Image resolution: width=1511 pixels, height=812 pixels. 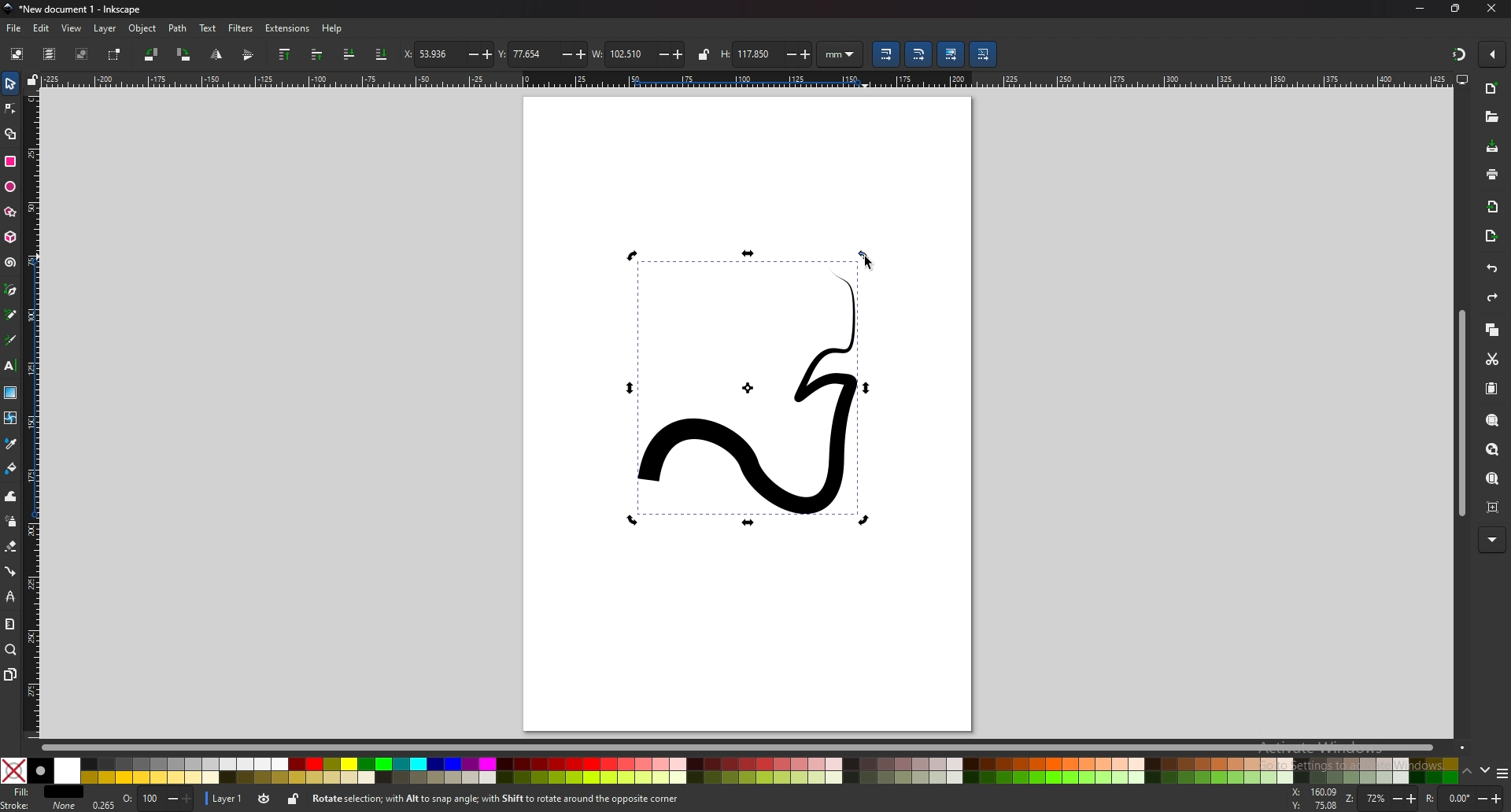 I want to click on minimize, so click(x=1420, y=8).